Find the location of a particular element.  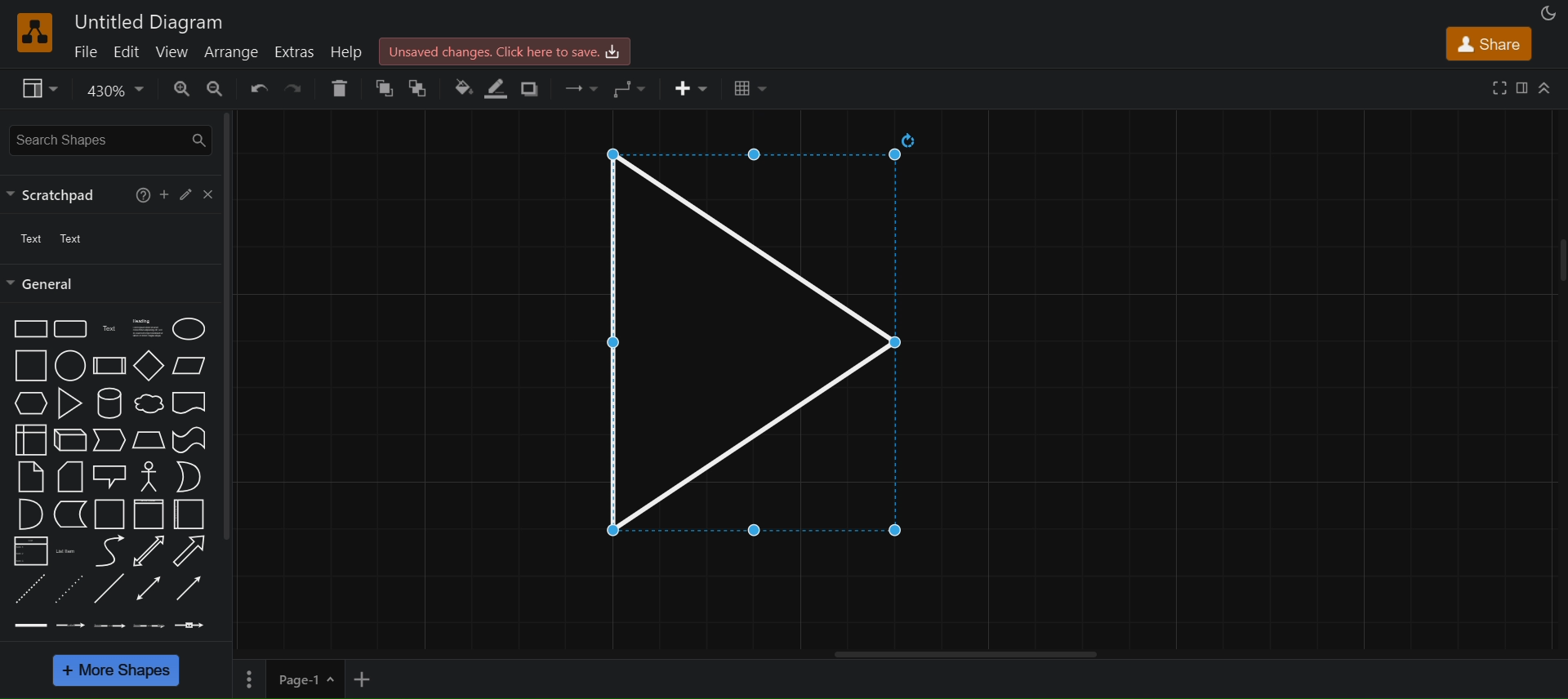

to front is located at coordinates (383, 88).